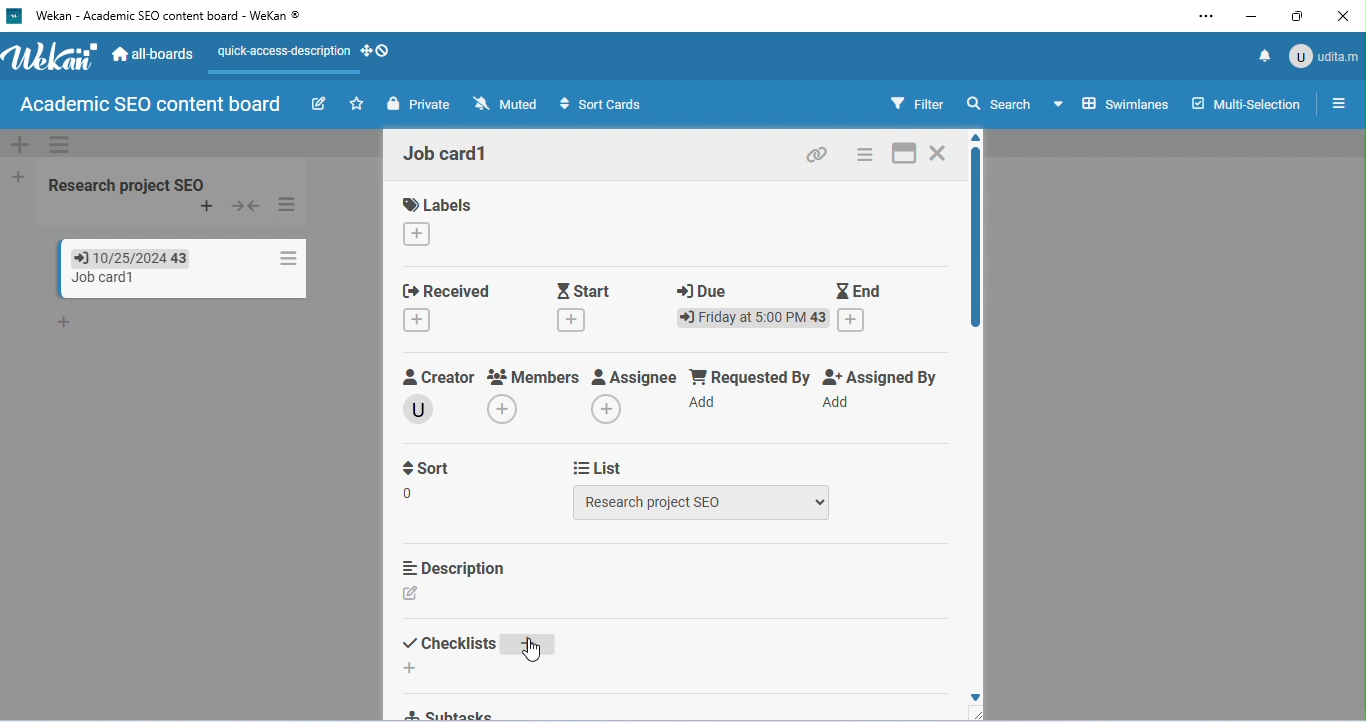 Image resolution: width=1366 pixels, height=722 pixels. Describe the element at coordinates (860, 288) in the screenshot. I see `end` at that location.